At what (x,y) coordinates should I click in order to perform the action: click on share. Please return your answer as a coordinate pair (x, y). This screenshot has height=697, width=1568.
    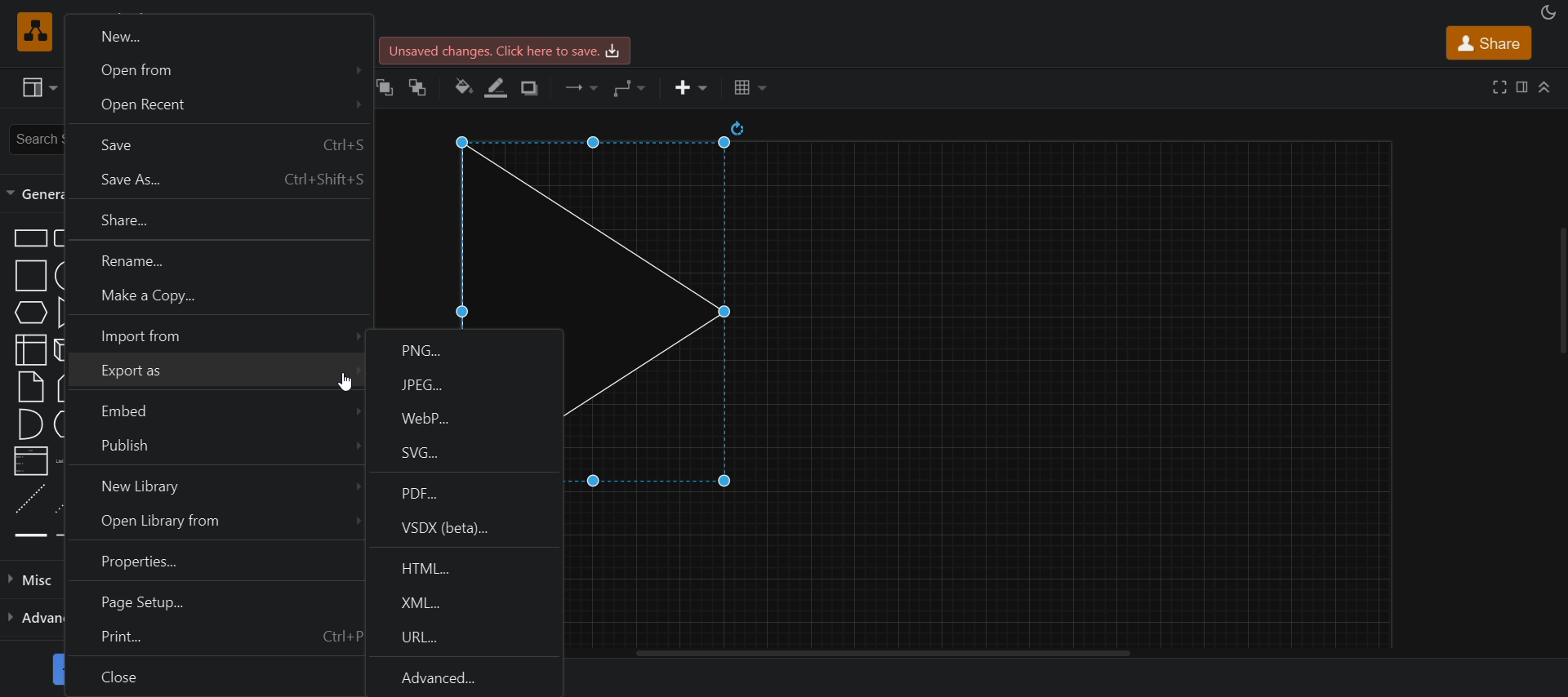
    Looking at the image, I should click on (1487, 42).